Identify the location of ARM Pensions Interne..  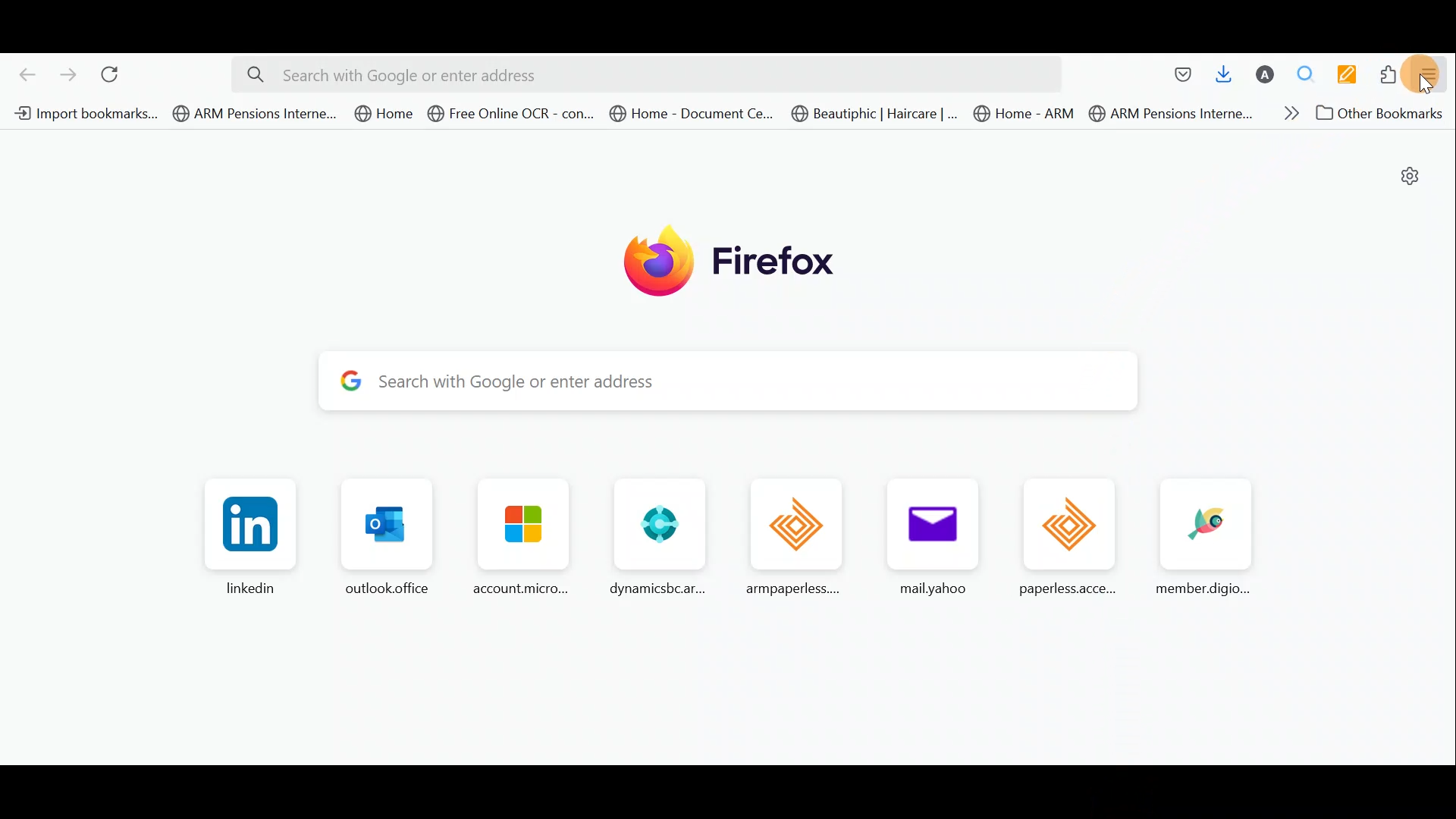
(1169, 114).